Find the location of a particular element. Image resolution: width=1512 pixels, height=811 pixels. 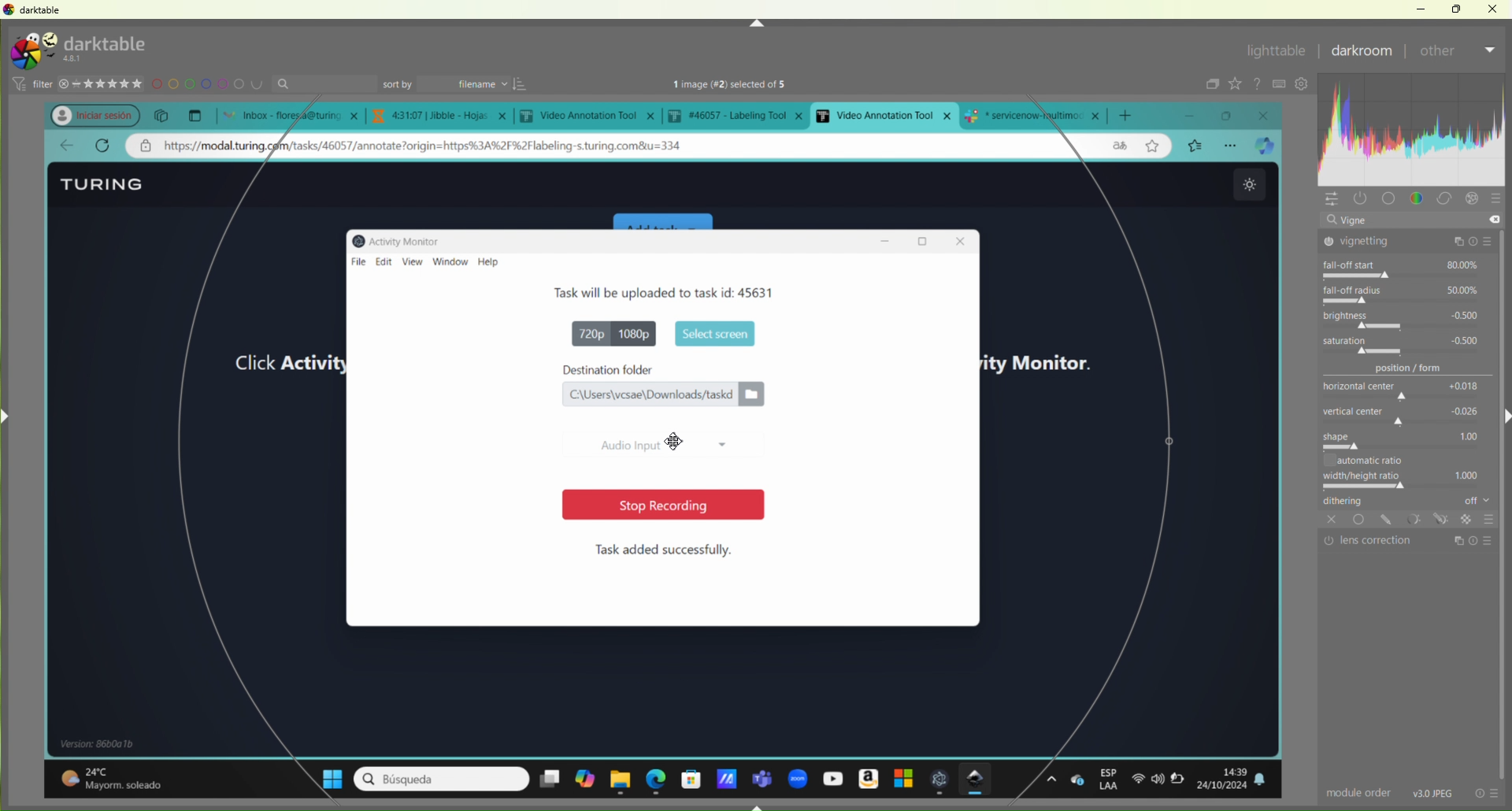

shape is located at coordinates (1406, 440).